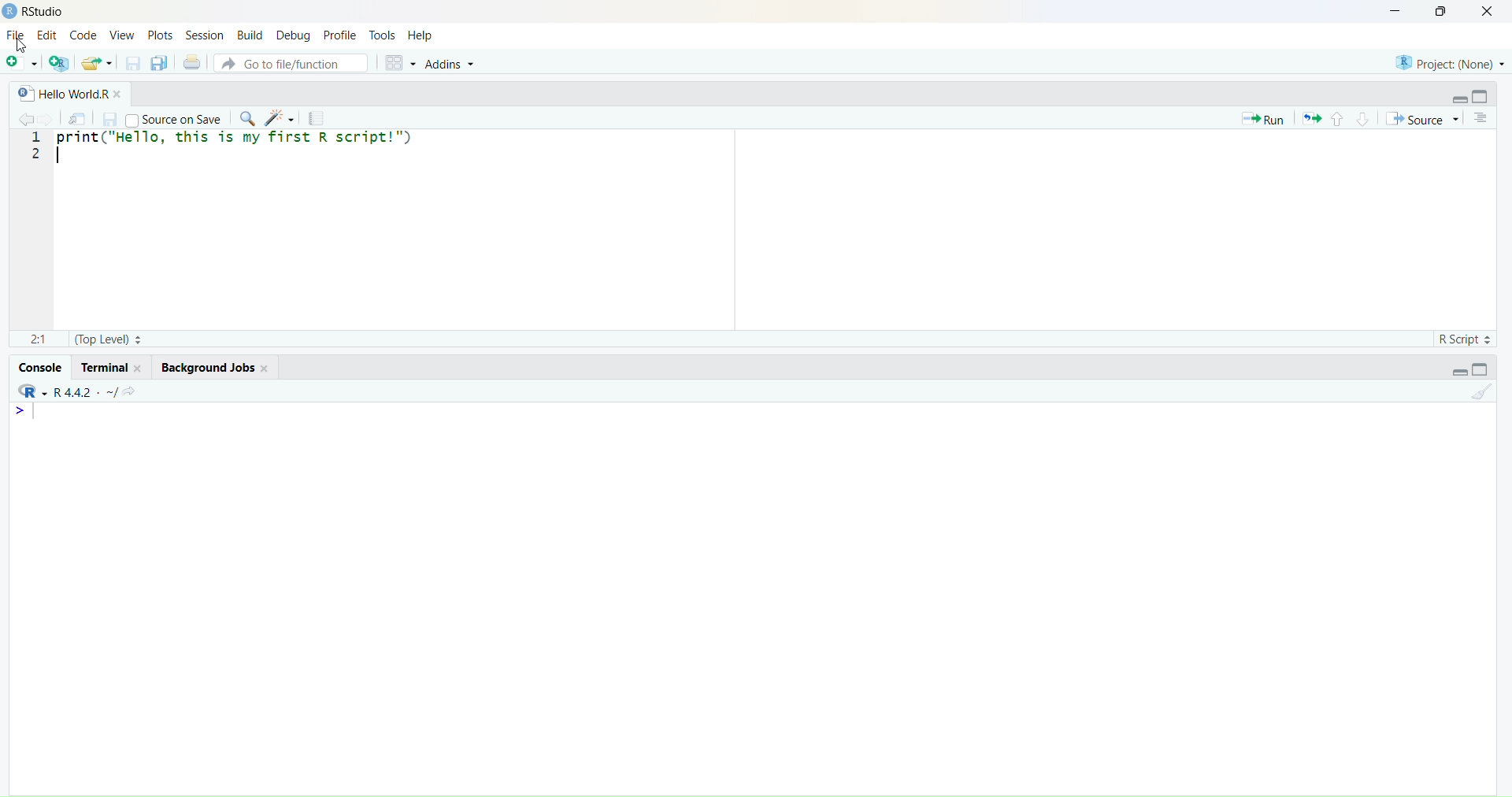 Image resolution: width=1512 pixels, height=797 pixels. What do you see at coordinates (122, 36) in the screenshot?
I see `View` at bounding box center [122, 36].